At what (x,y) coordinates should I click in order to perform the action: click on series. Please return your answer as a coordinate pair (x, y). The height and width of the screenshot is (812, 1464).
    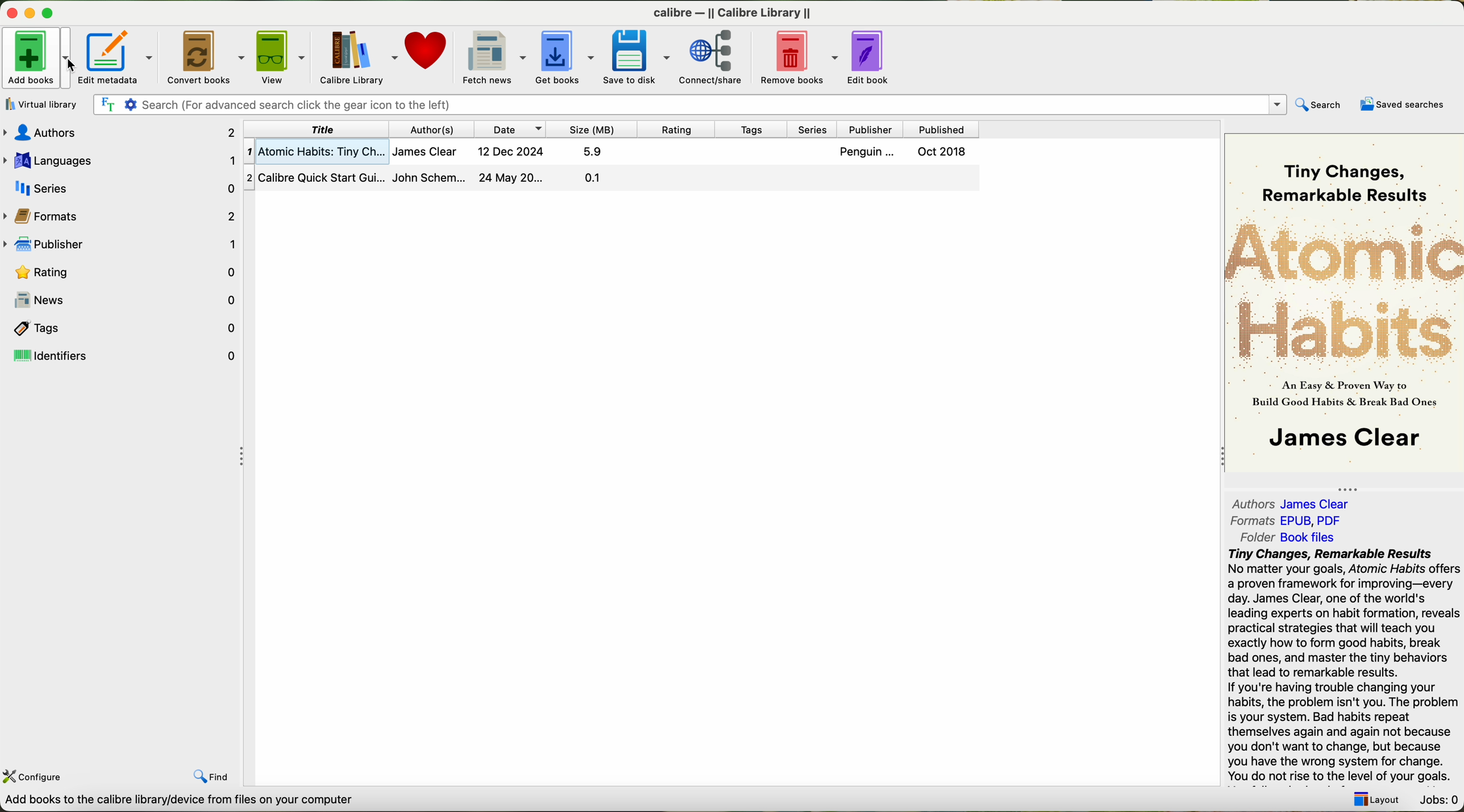
    Looking at the image, I should click on (813, 129).